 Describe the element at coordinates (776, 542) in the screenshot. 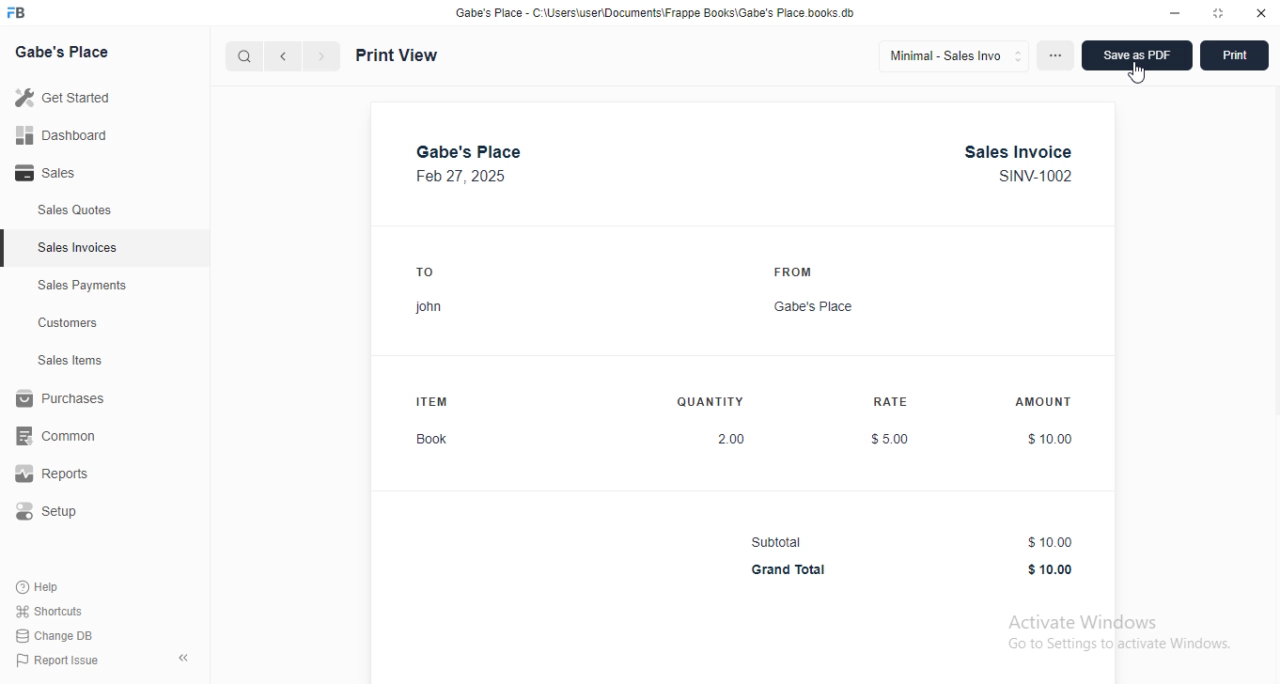

I see `Subtotal` at that location.